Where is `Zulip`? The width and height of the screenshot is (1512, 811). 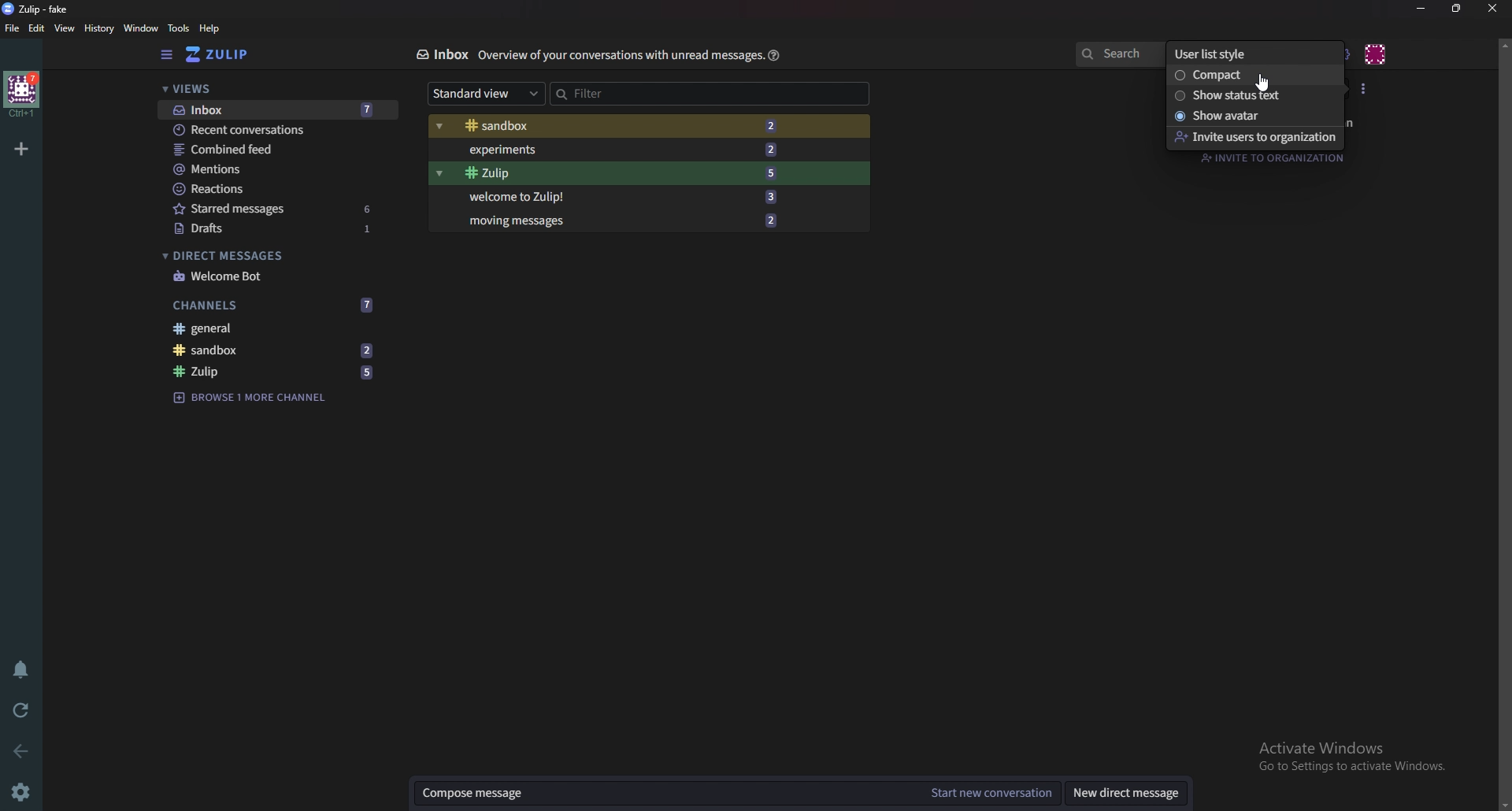
Zulip is located at coordinates (232, 54).